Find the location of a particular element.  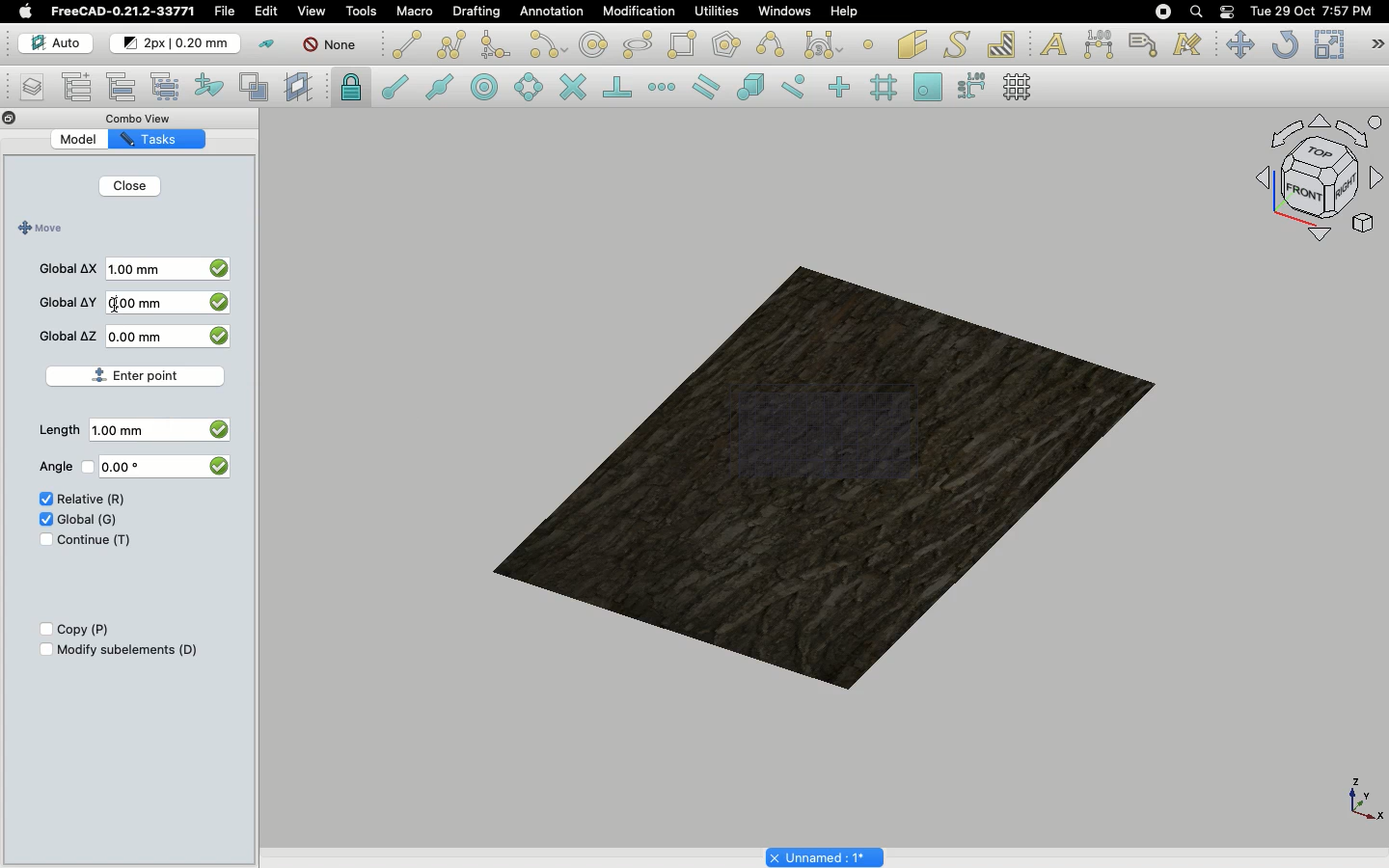

Copy is located at coordinates (85, 630).